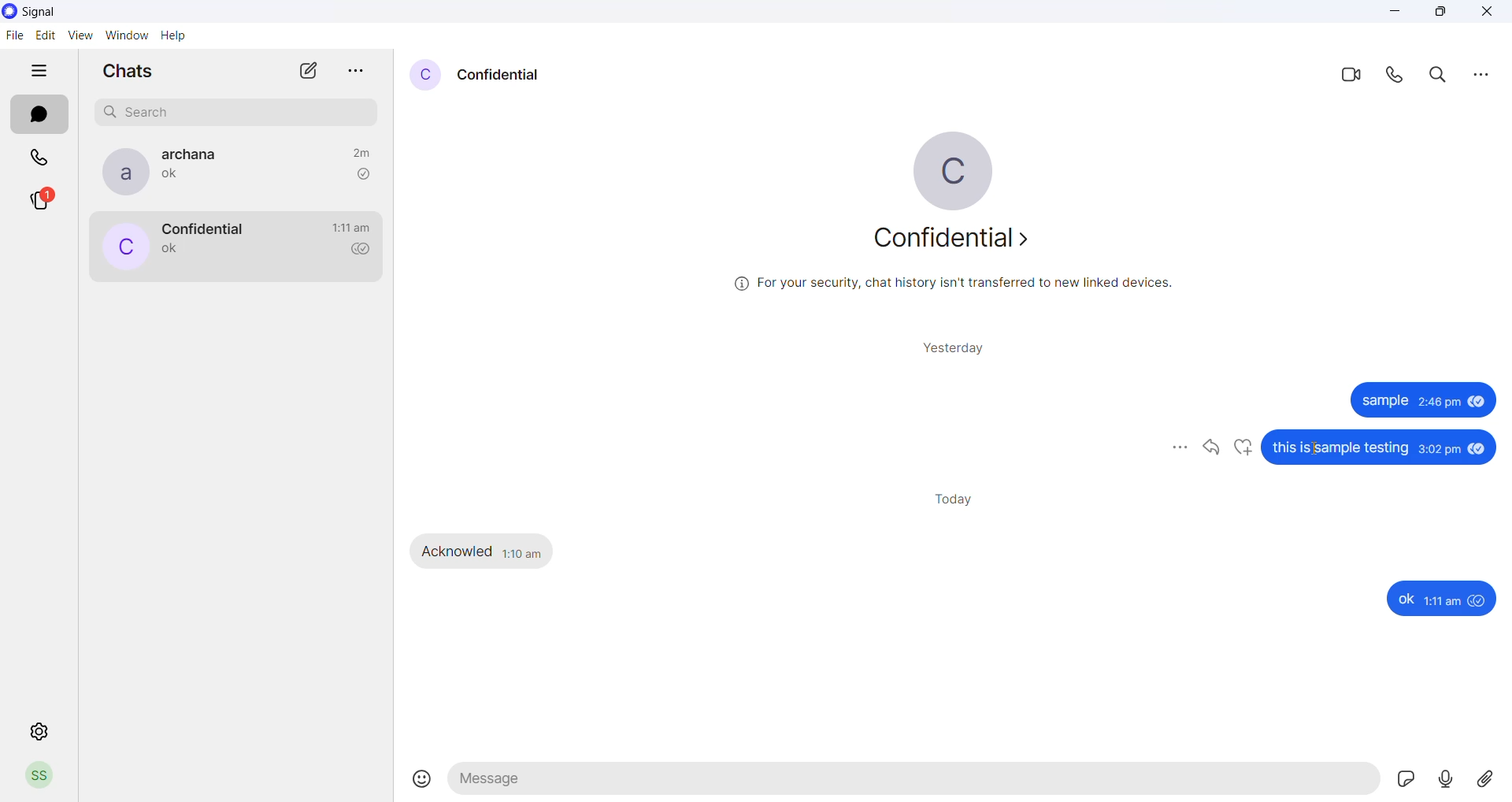 The height and width of the screenshot is (802, 1512). What do you see at coordinates (1169, 448) in the screenshot?
I see `more options` at bounding box center [1169, 448].